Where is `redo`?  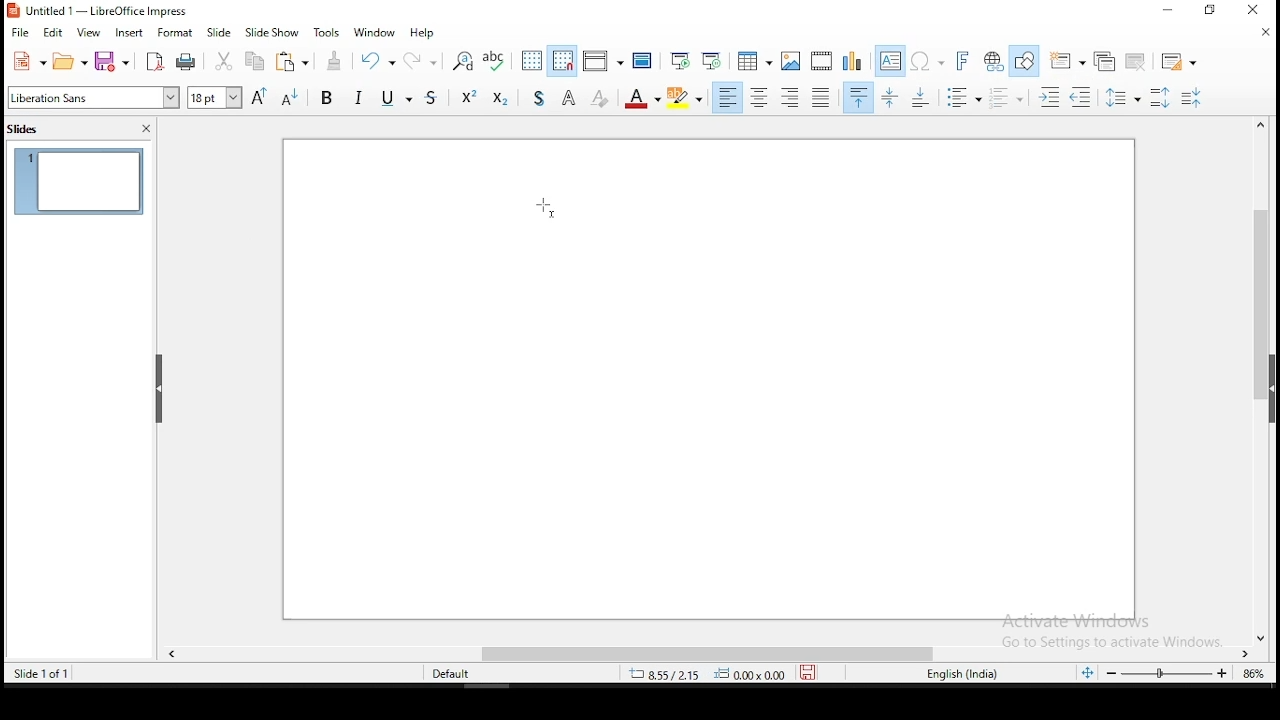
redo is located at coordinates (423, 59).